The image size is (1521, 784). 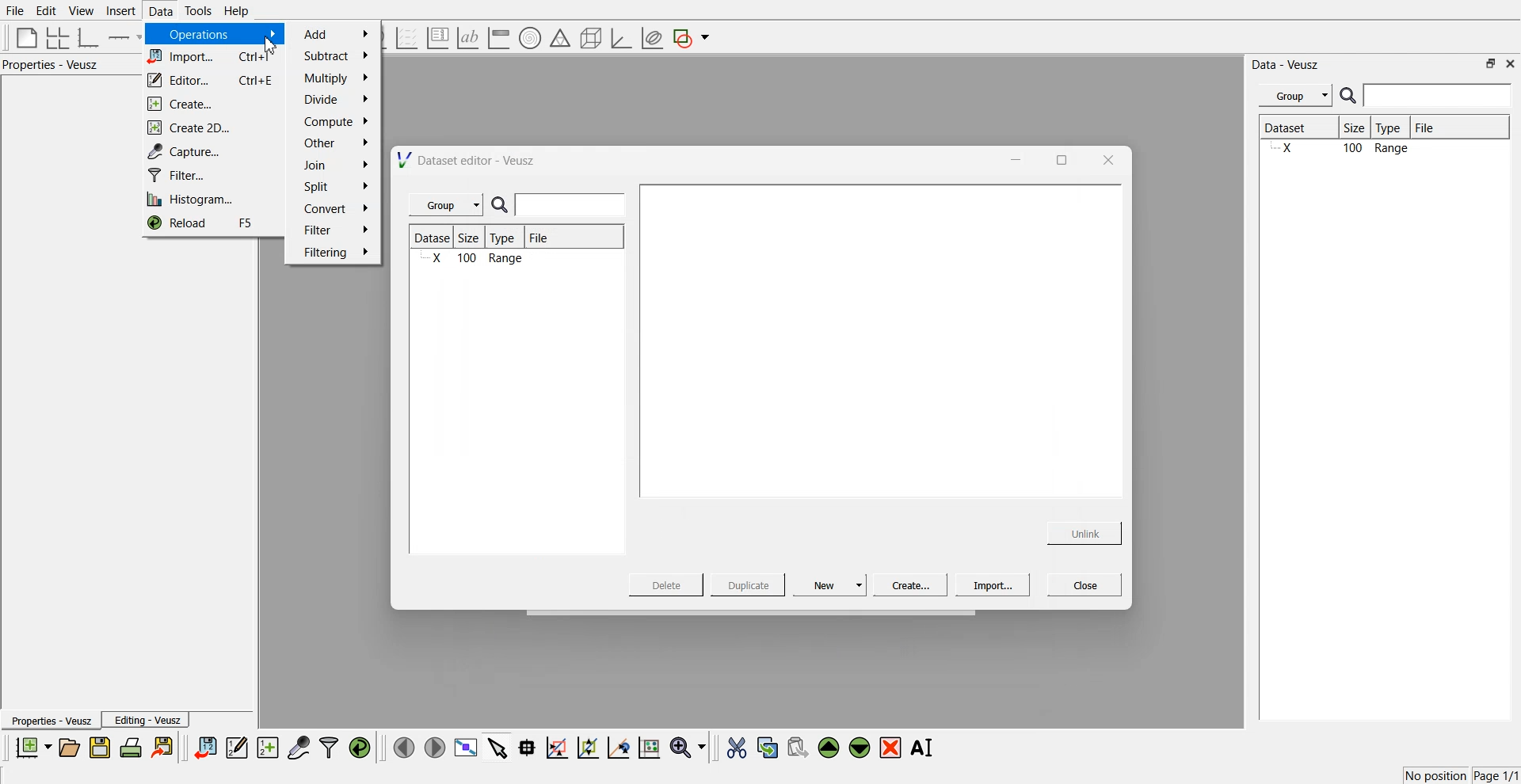 I want to click on reload the data points, so click(x=360, y=748).